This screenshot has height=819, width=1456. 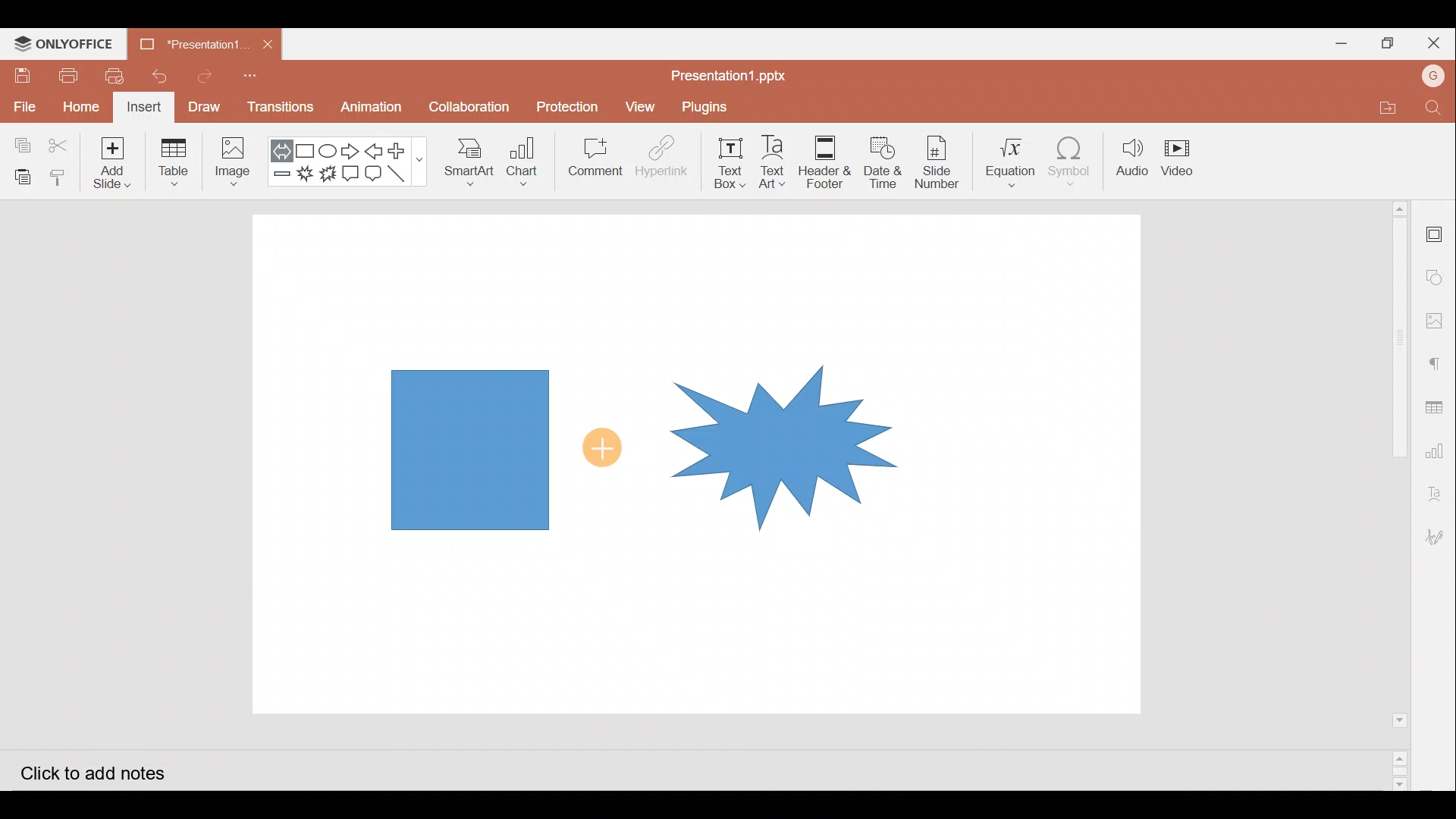 I want to click on Minus, so click(x=279, y=177).